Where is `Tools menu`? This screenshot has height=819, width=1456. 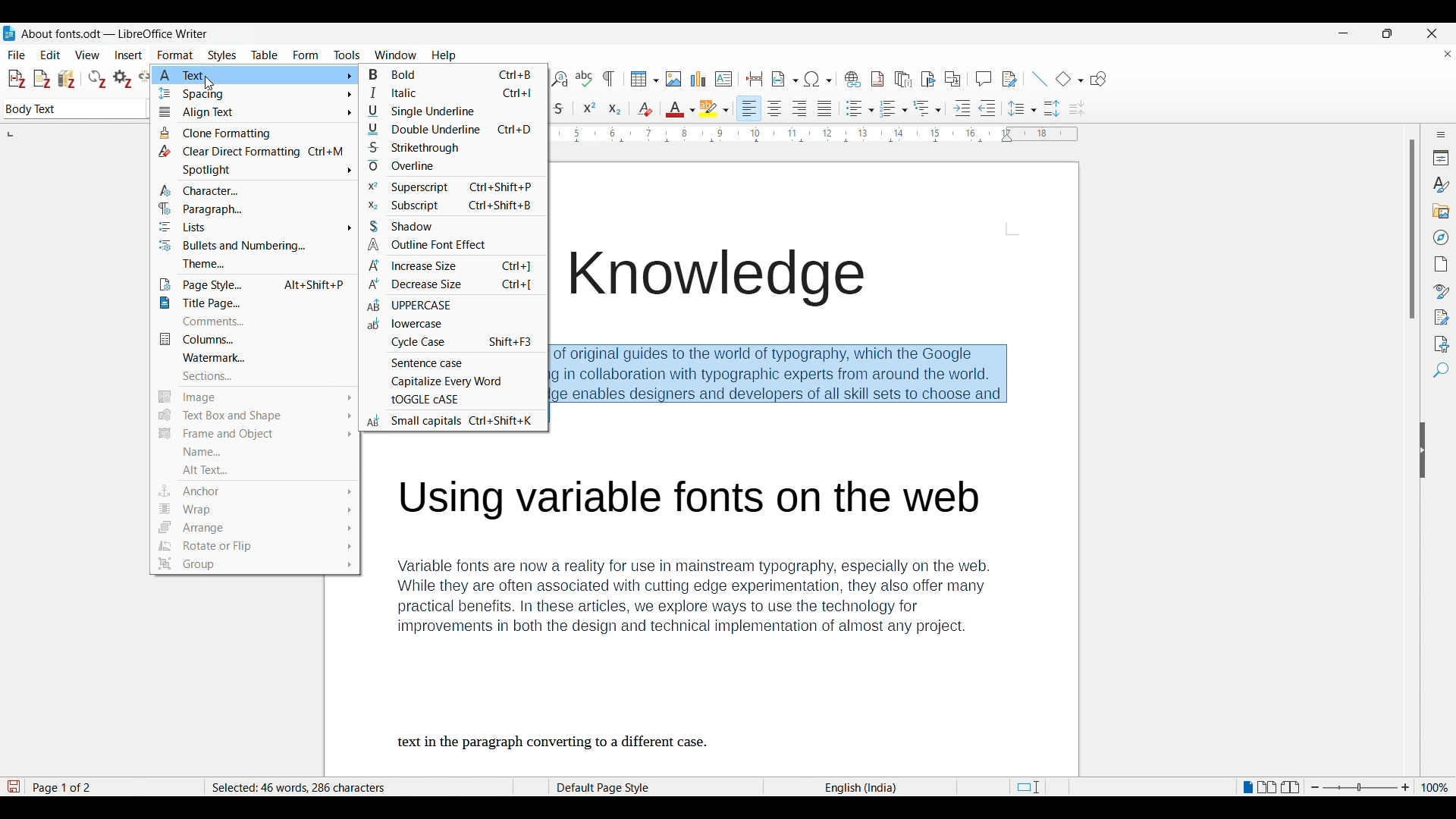
Tools menu is located at coordinates (347, 55).